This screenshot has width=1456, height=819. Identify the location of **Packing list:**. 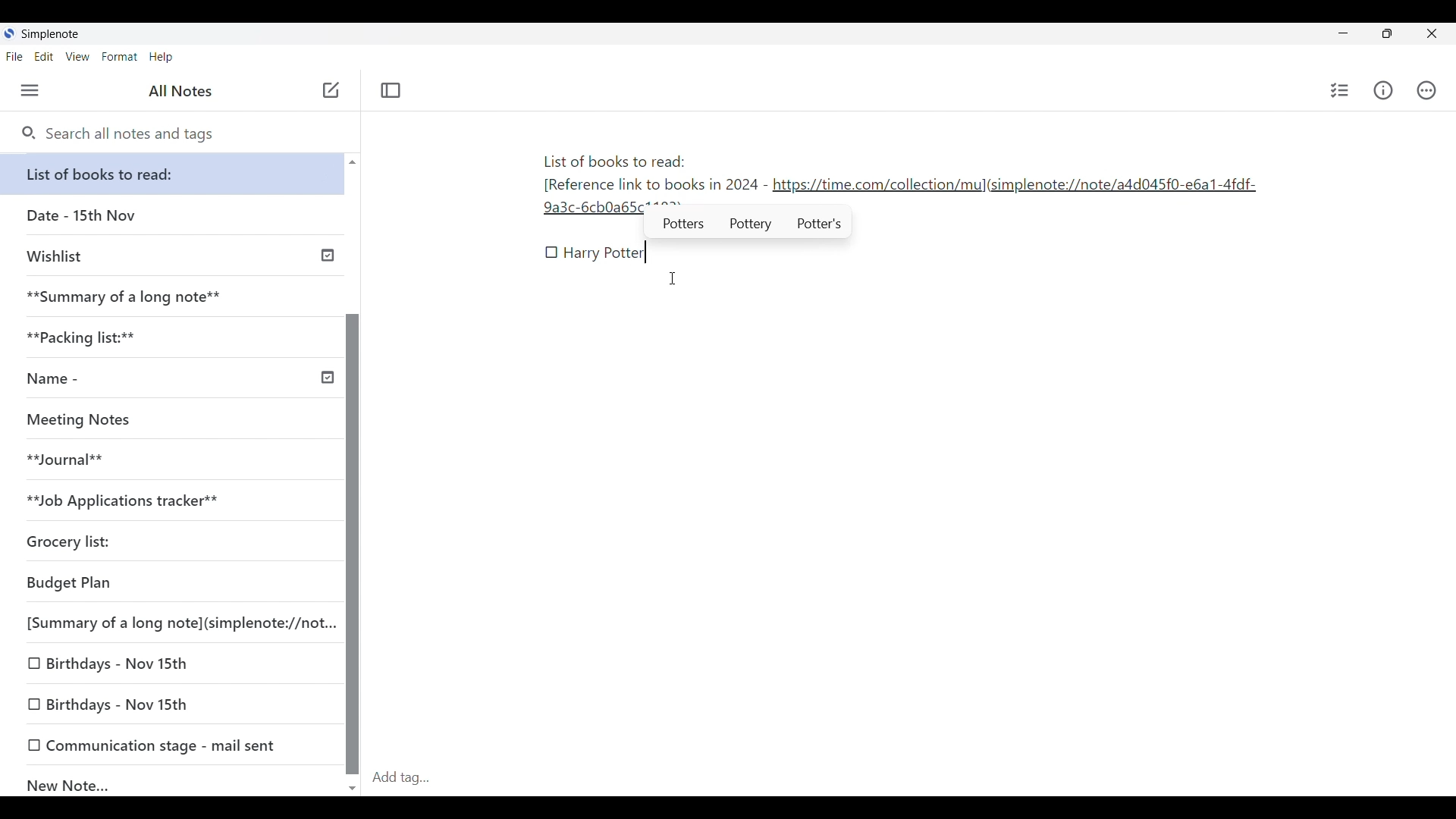
(174, 337).